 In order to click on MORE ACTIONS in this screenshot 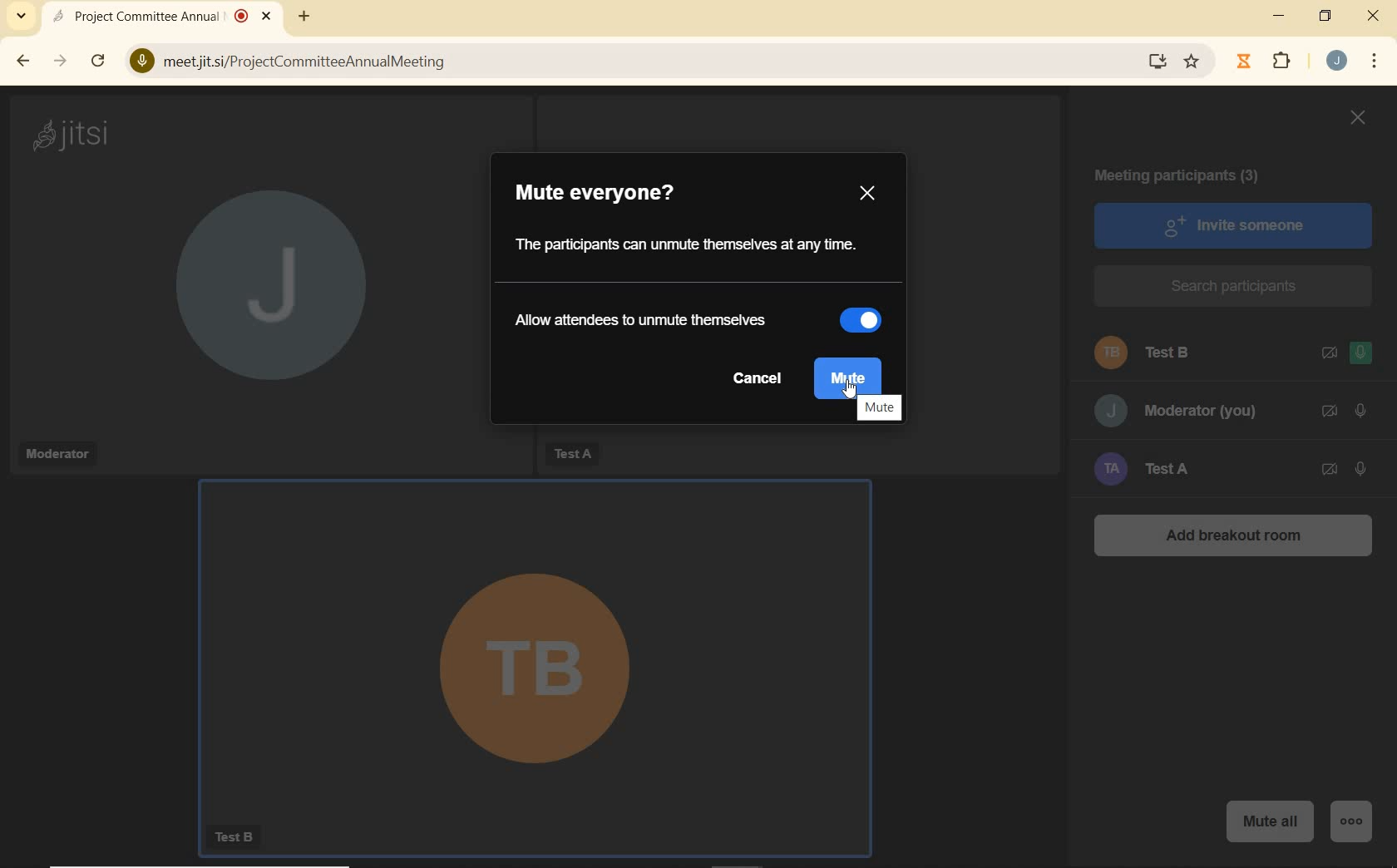, I will do `click(1355, 815)`.